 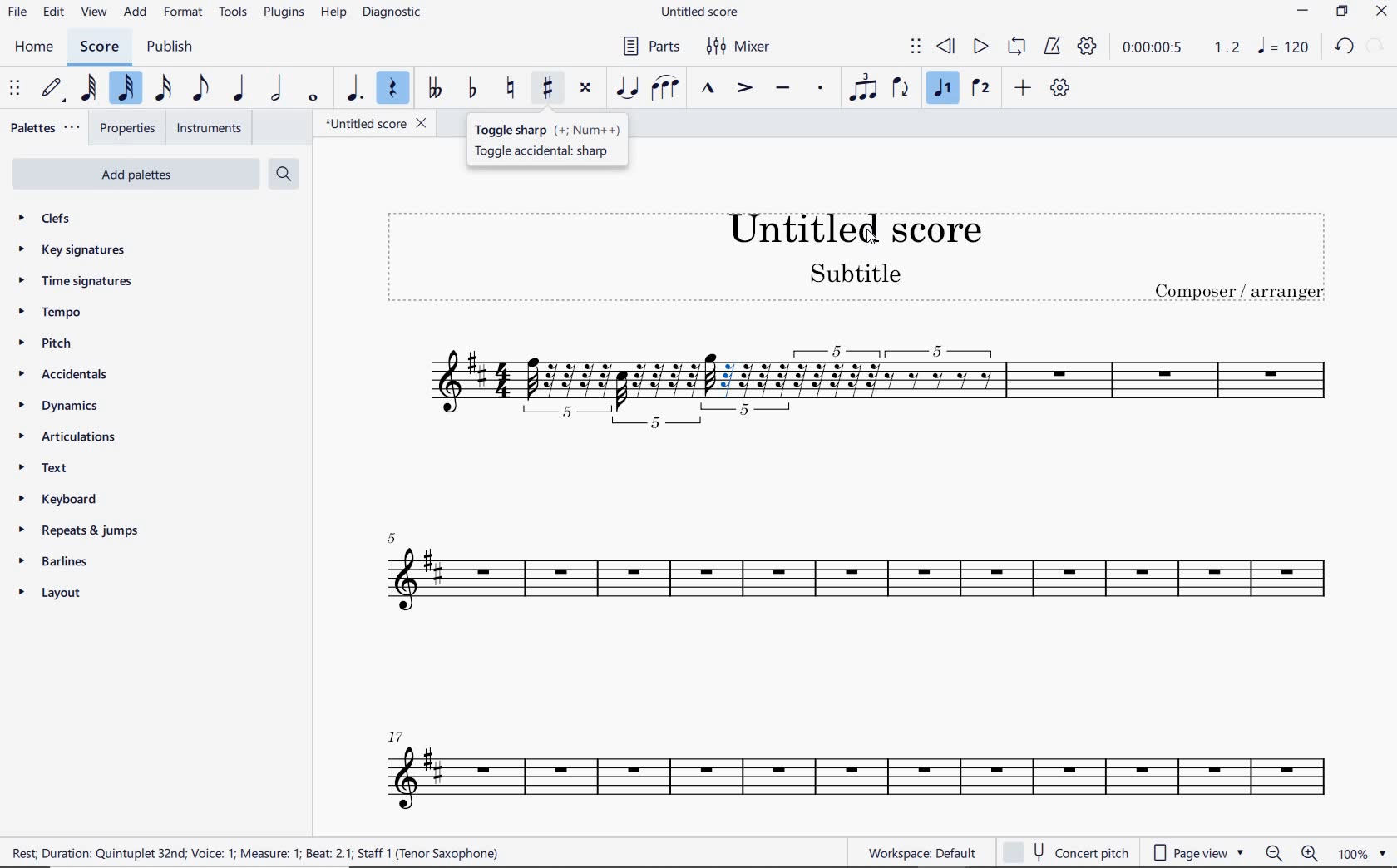 What do you see at coordinates (653, 46) in the screenshot?
I see `PARTS` at bounding box center [653, 46].